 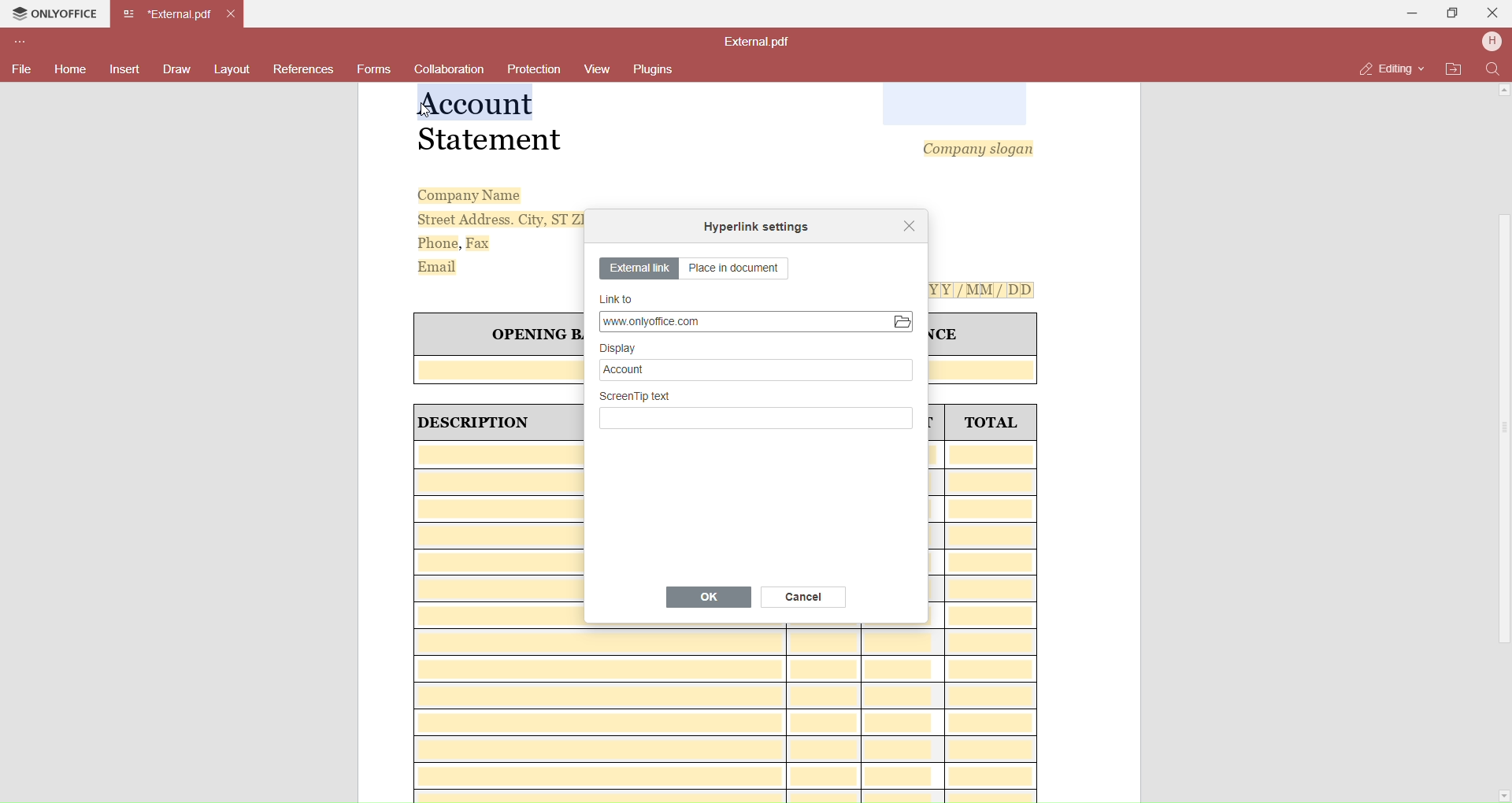 What do you see at coordinates (757, 417) in the screenshot?
I see `Write Screentp` at bounding box center [757, 417].